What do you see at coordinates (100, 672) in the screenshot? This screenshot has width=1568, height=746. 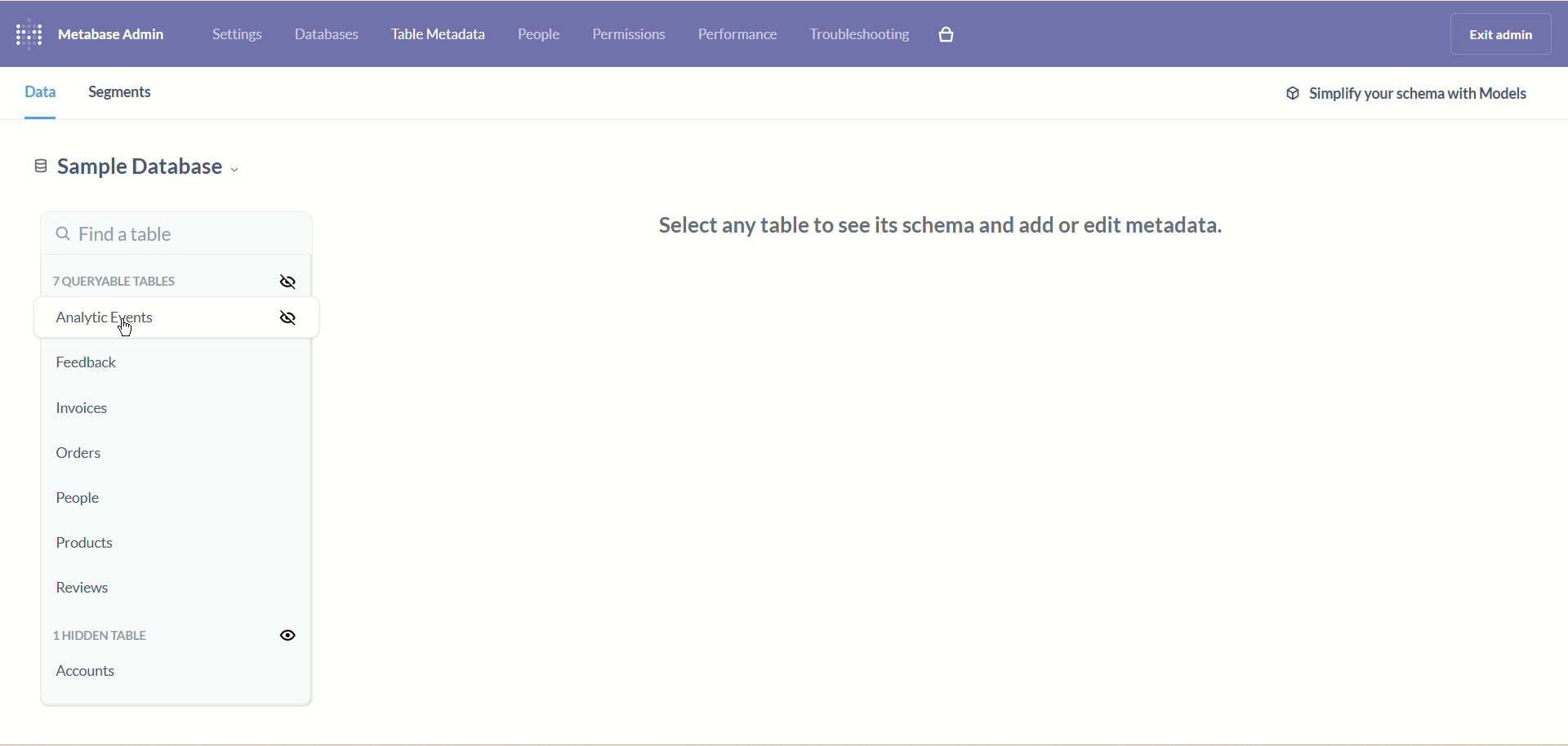 I see `accounts` at bounding box center [100, 672].